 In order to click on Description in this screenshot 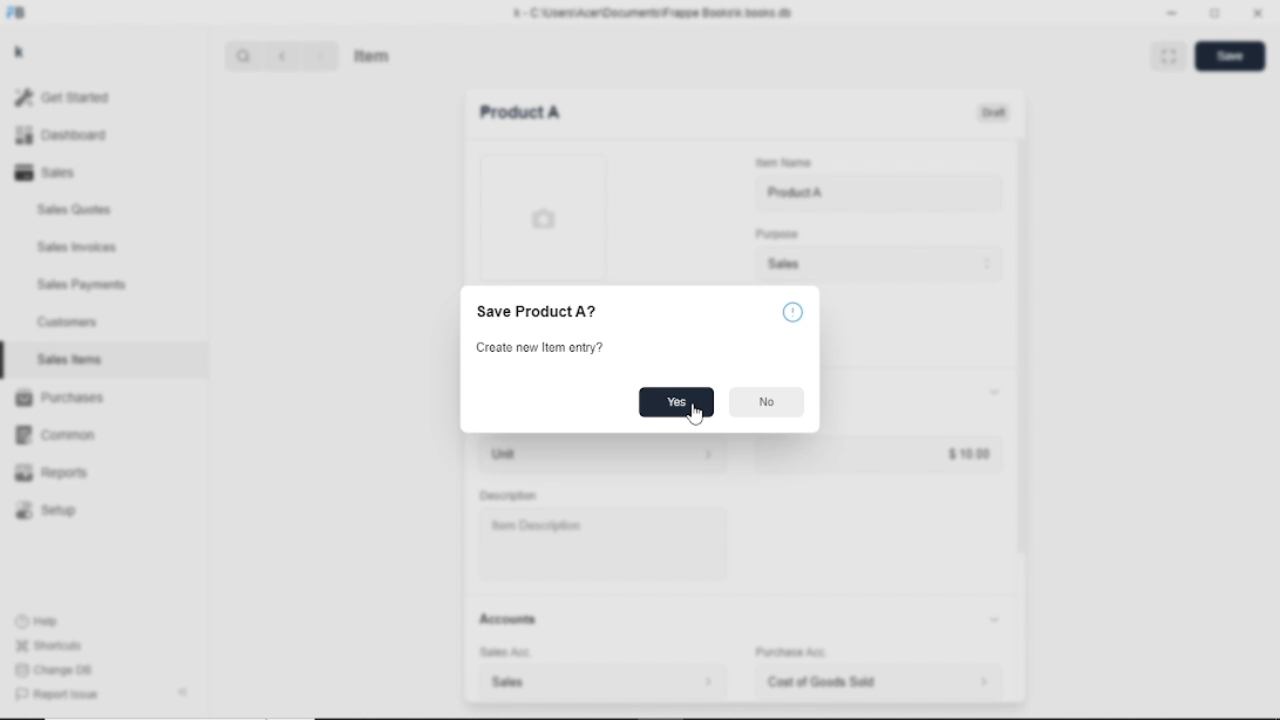, I will do `click(509, 496)`.